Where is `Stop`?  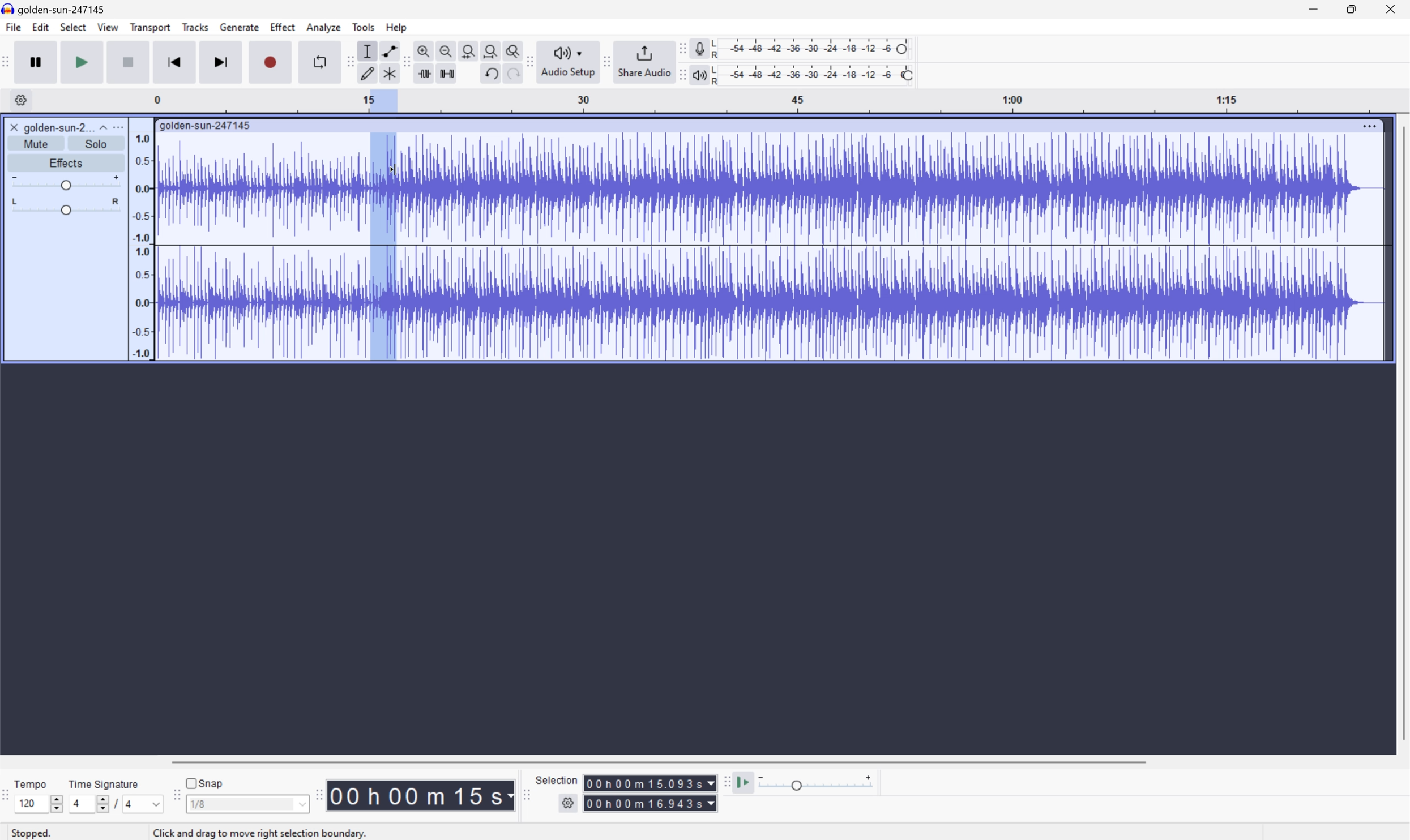 Stop is located at coordinates (130, 63).